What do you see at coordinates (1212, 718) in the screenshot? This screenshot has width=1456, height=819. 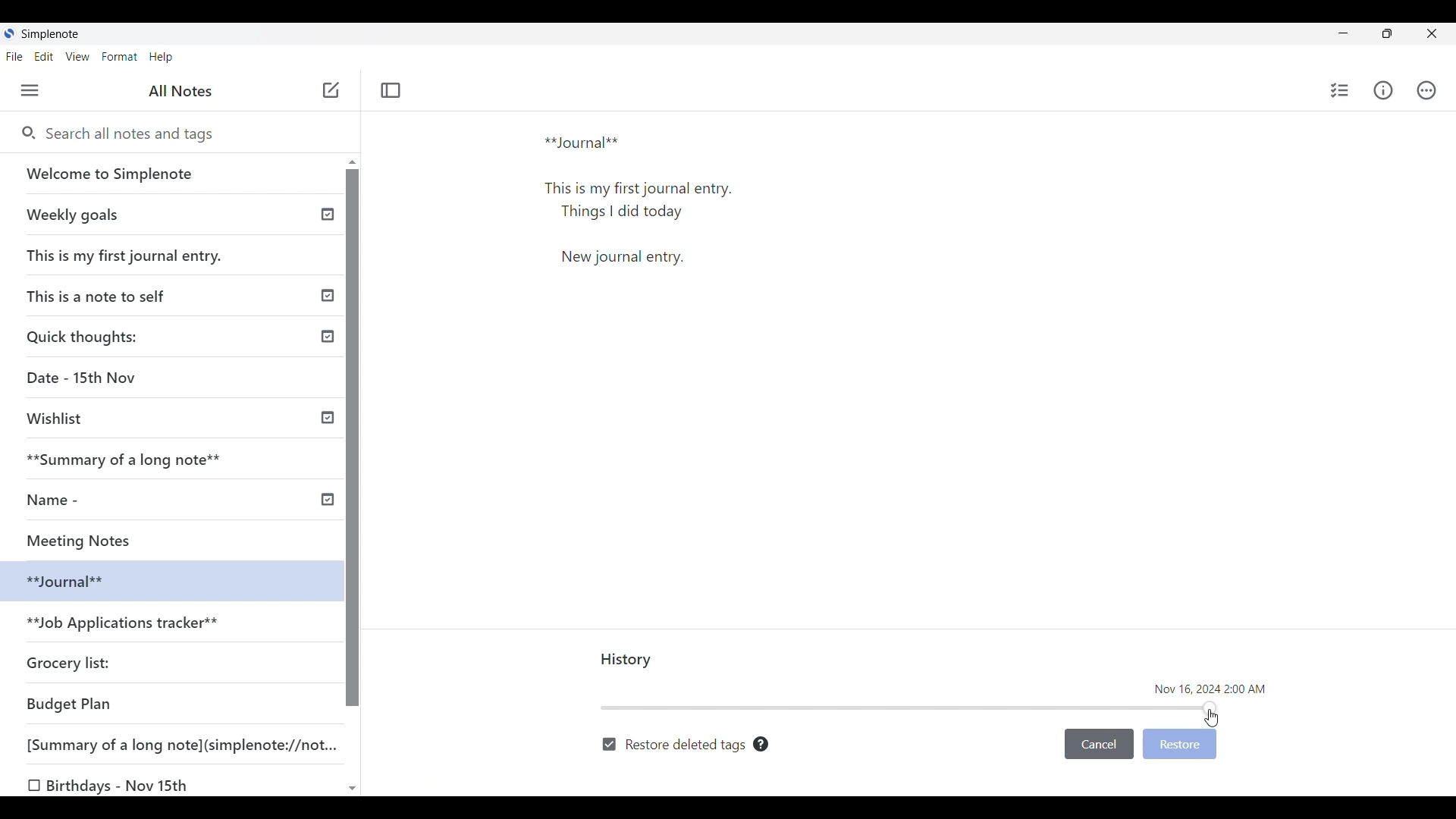 I see `cursor` at bounding box center [1212, 718].